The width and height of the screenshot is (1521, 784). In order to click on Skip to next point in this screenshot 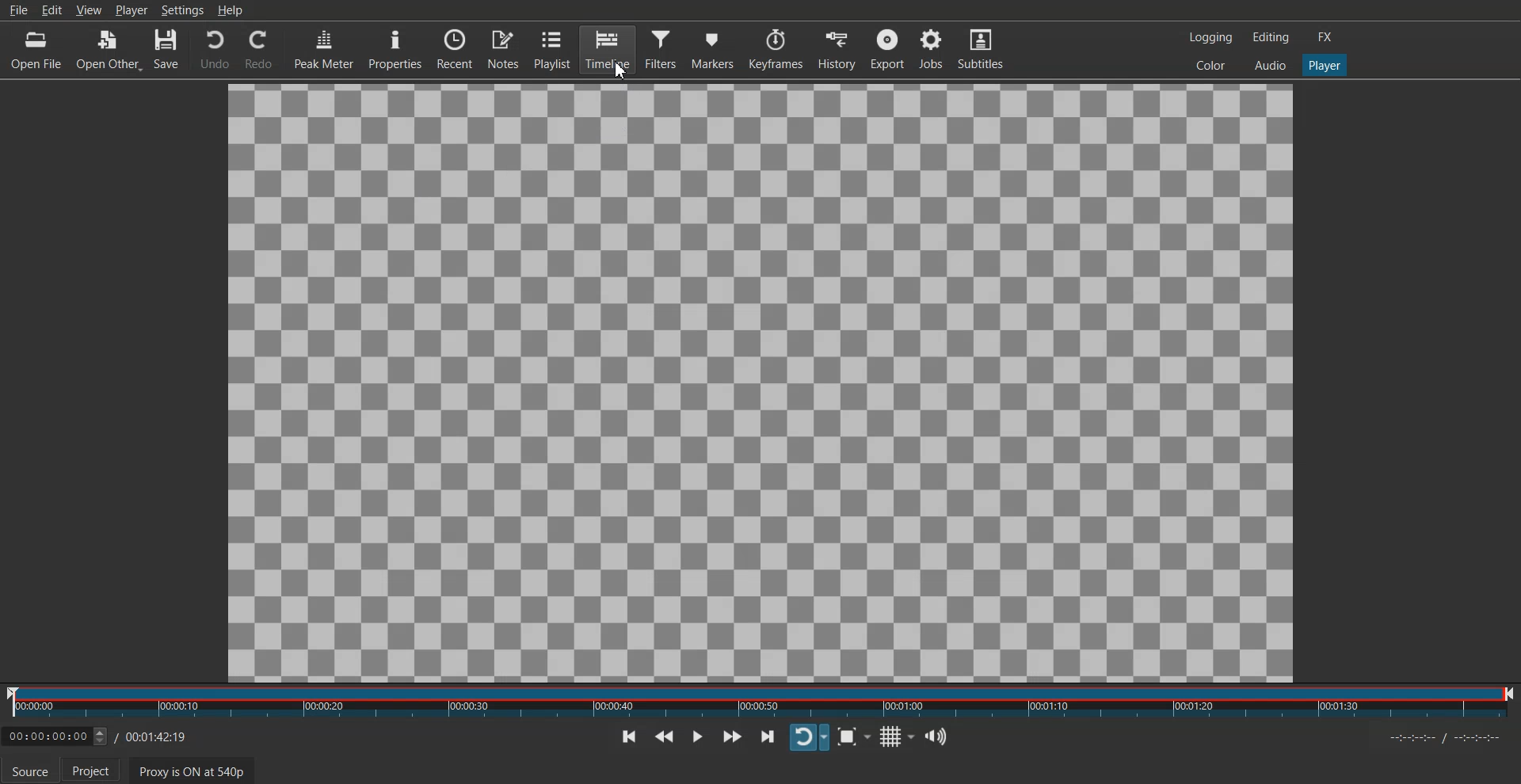, I will do `click(767, 736)`.